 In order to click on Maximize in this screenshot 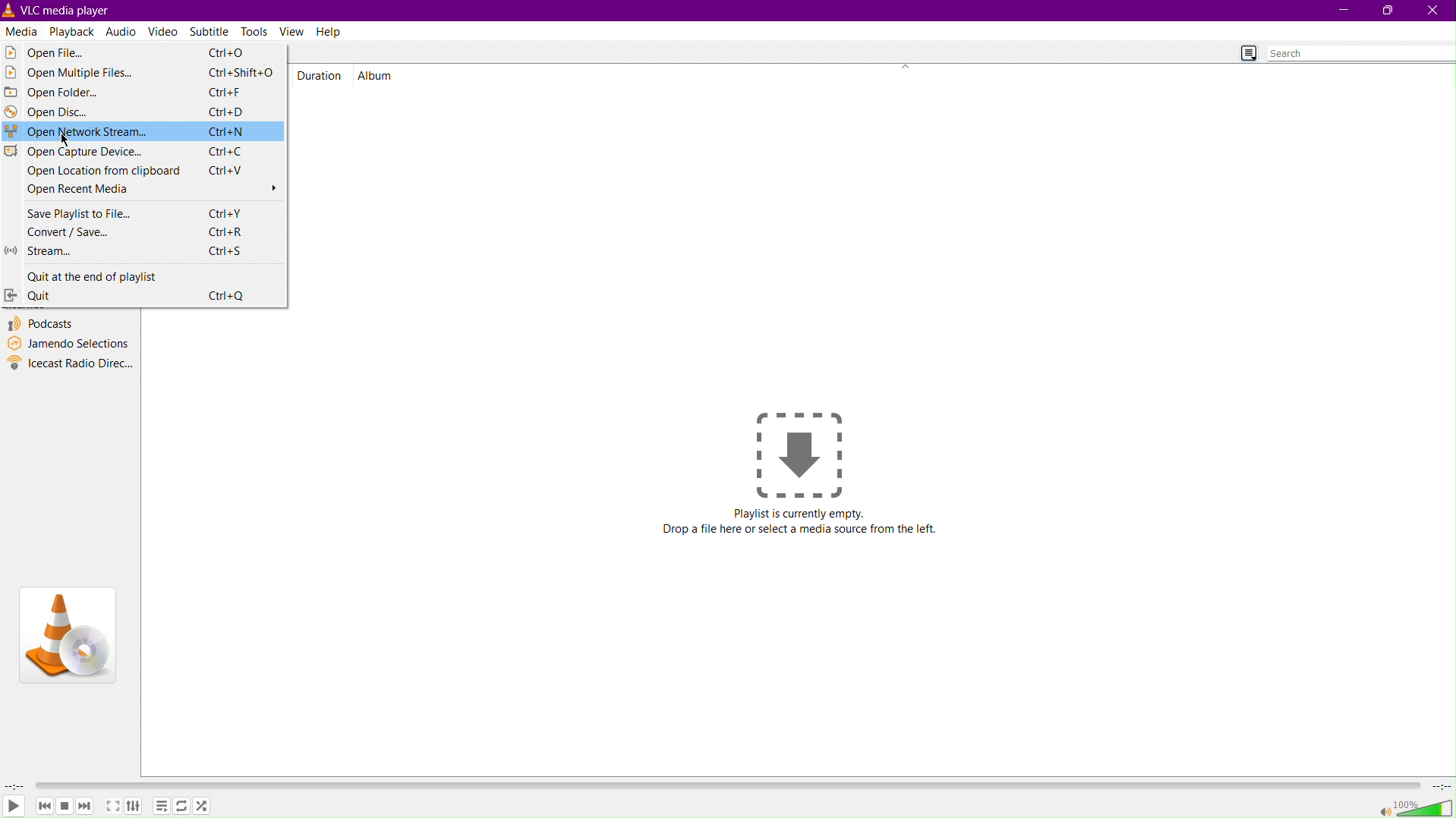, I will do `click(1387, 11)`.